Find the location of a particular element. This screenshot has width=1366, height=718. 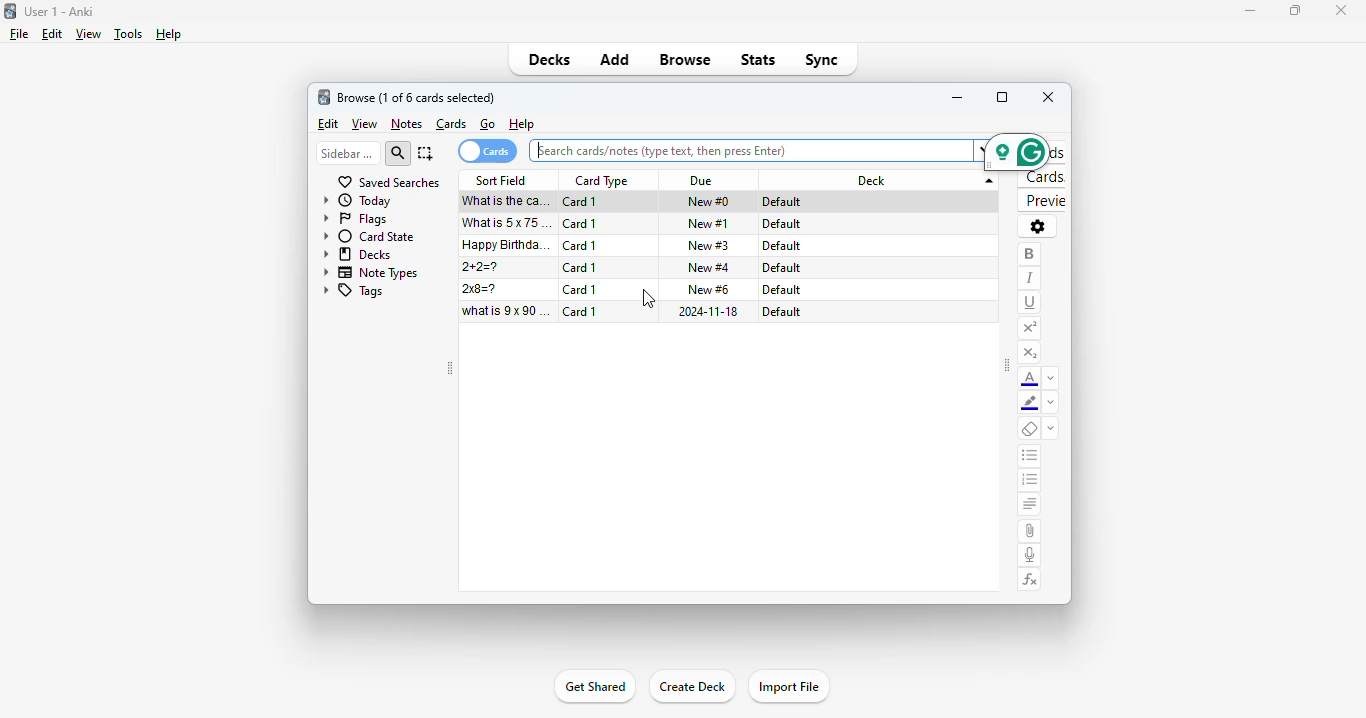

card 1 is located at coordinates (581, 311).